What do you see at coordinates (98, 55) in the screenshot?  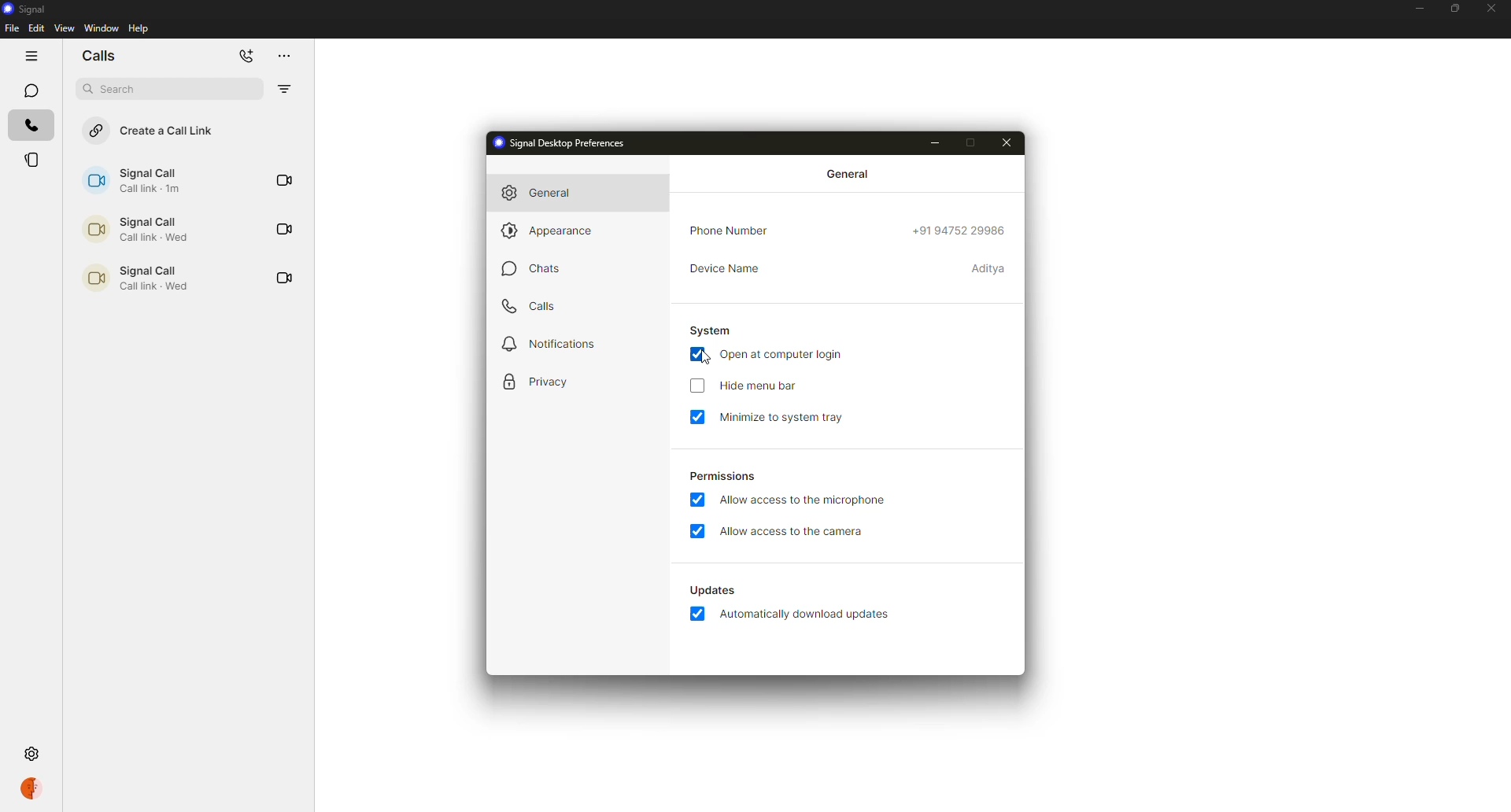 I see `chats` at bounding box center [98, 55].